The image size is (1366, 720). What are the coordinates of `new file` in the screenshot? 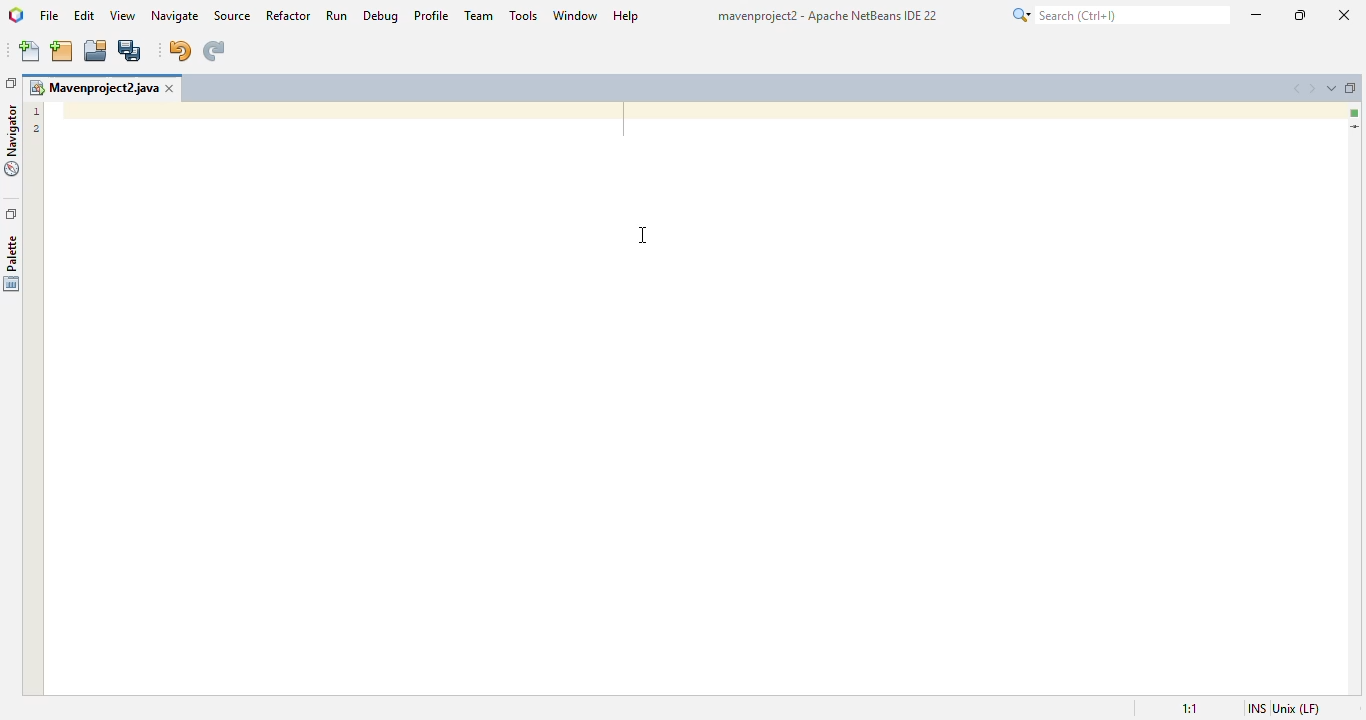 It's located at (29, 51).